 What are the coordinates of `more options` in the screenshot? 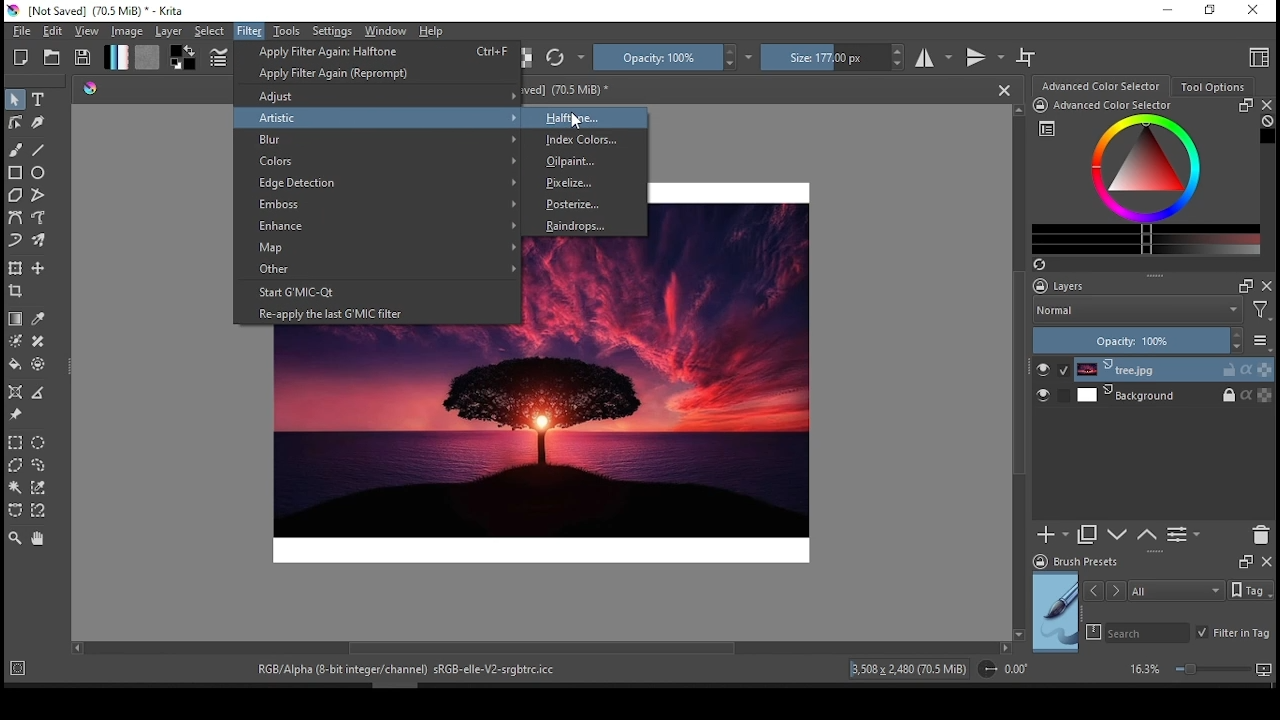 It's located at (1262, 341).